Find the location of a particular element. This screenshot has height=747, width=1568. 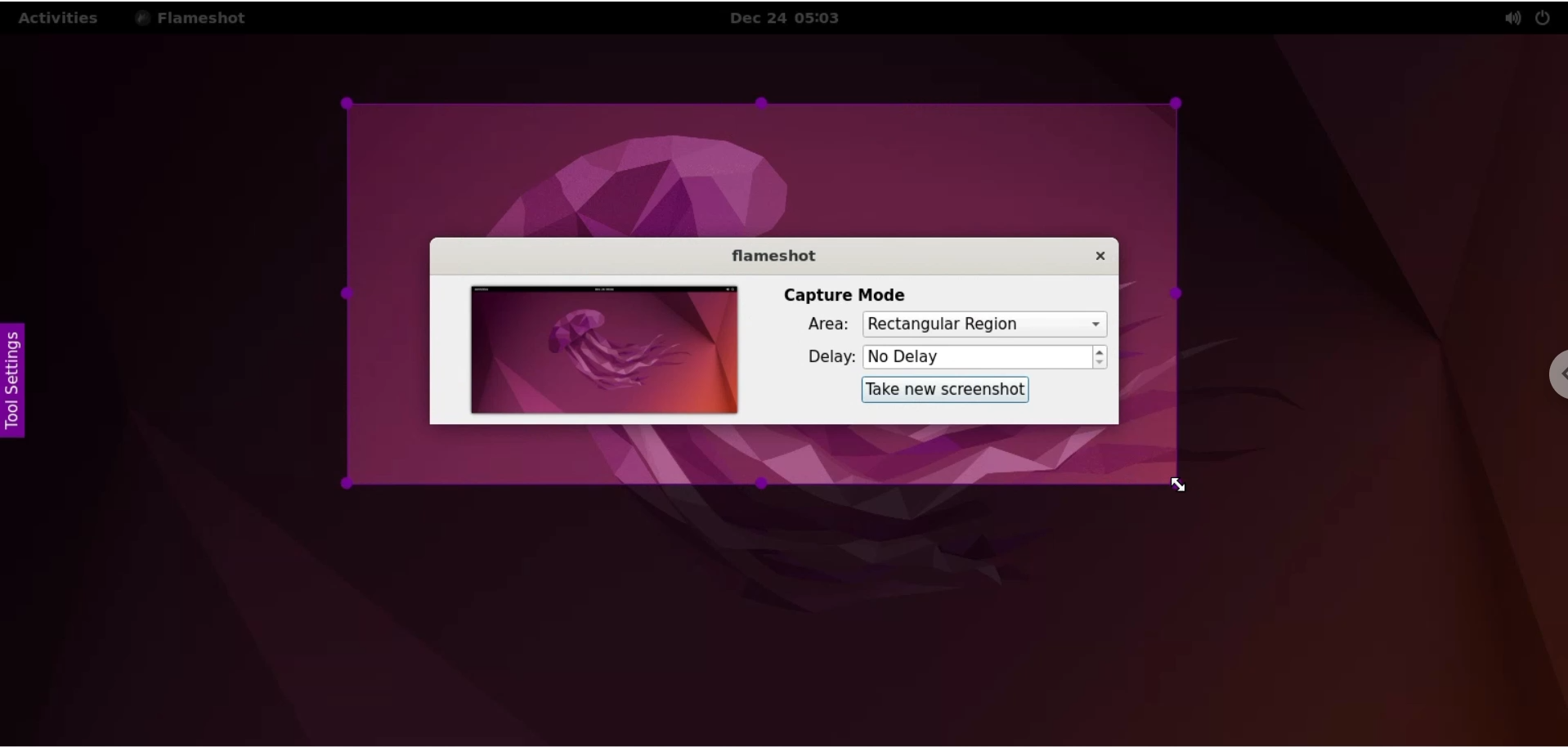

power options is located at coordinates (1547, 16).